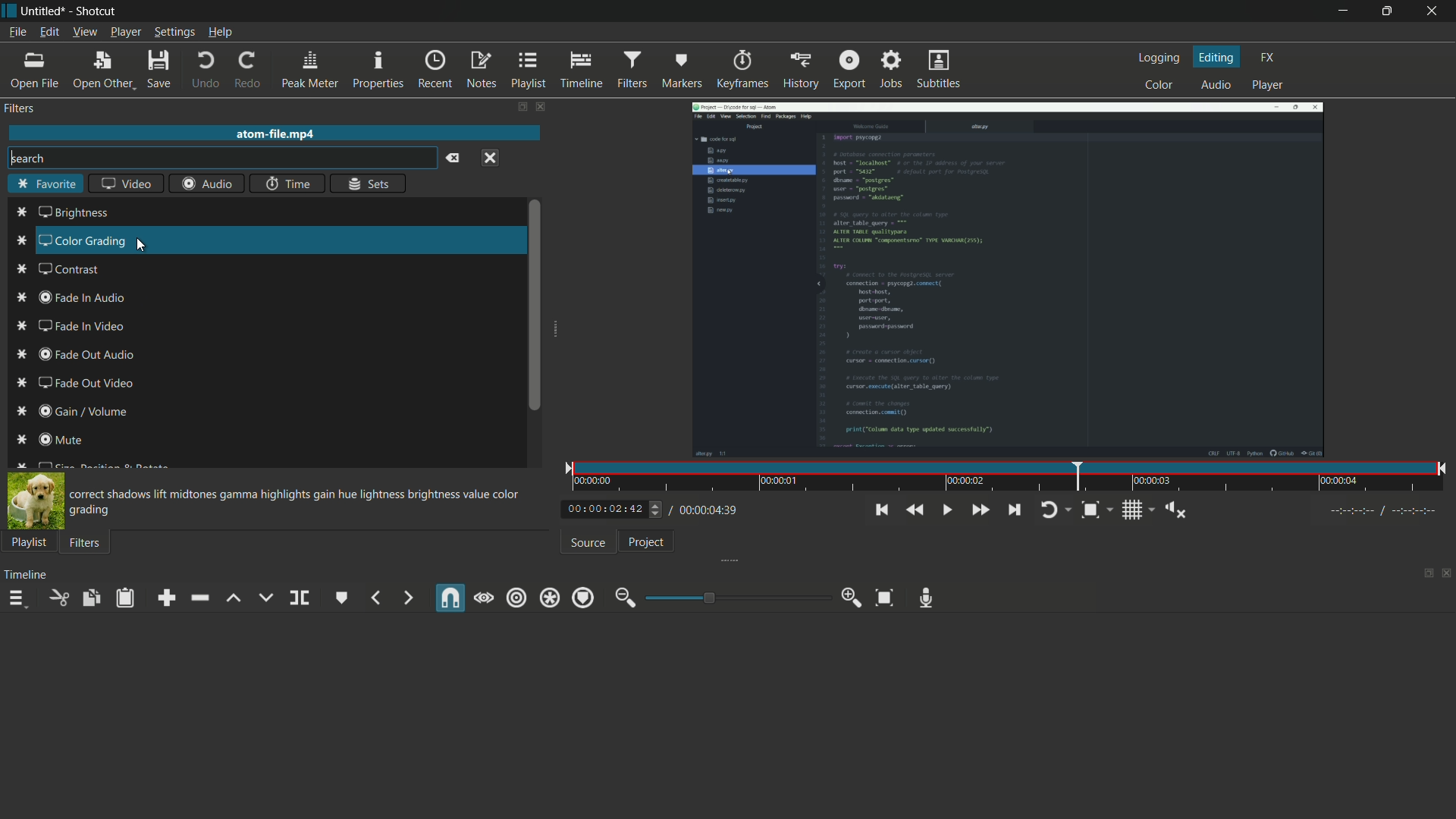 The image size is (1456, 819). Describe the element at coordinates (1218, 57) in the screenshot. I see `editing` at that location.